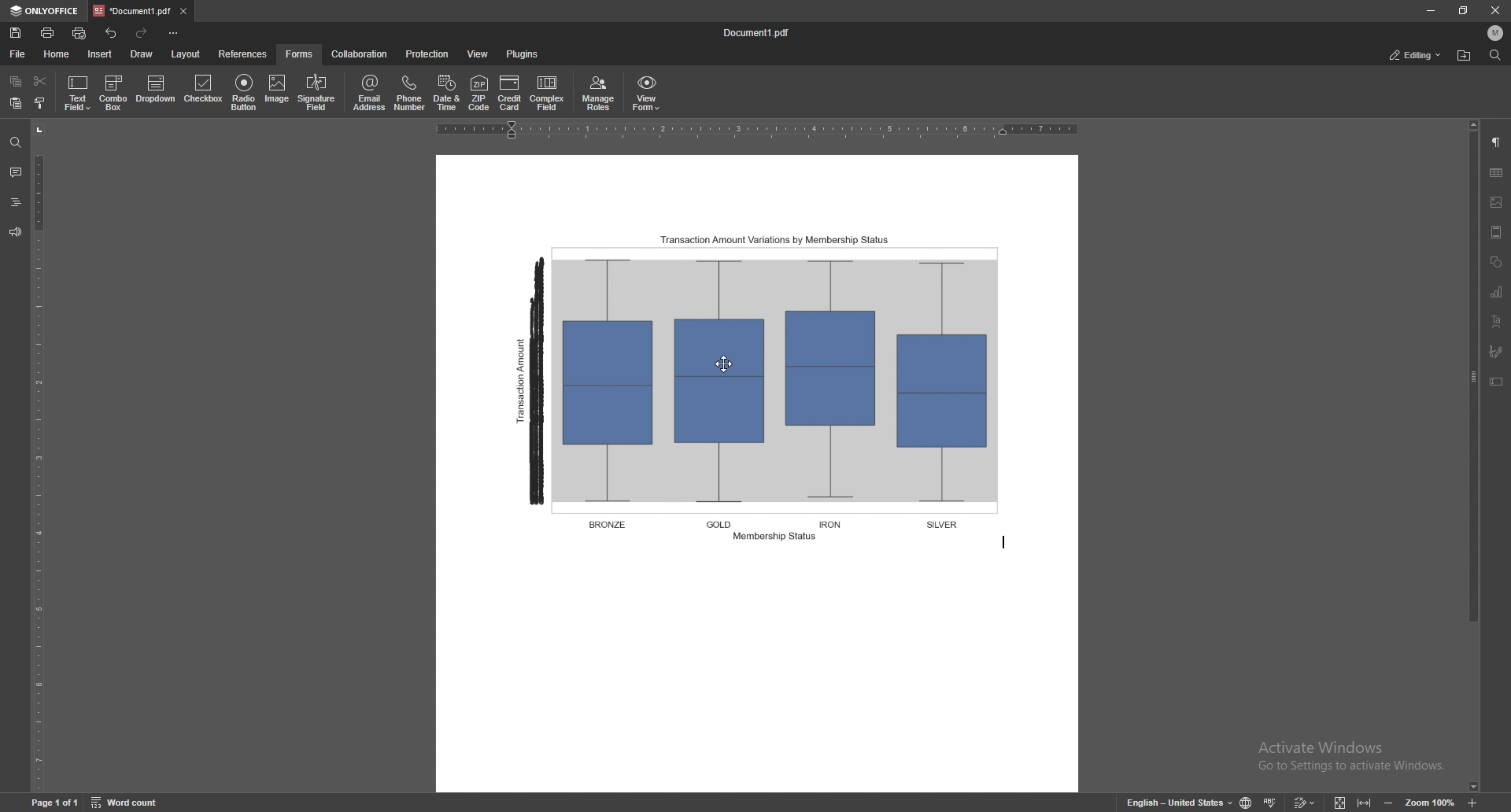 Image resolution: width=1511 pixels, height=812 pixels. Describe the element at coordinates (40, 103) in the screenshot. I see `copy style` at that location.